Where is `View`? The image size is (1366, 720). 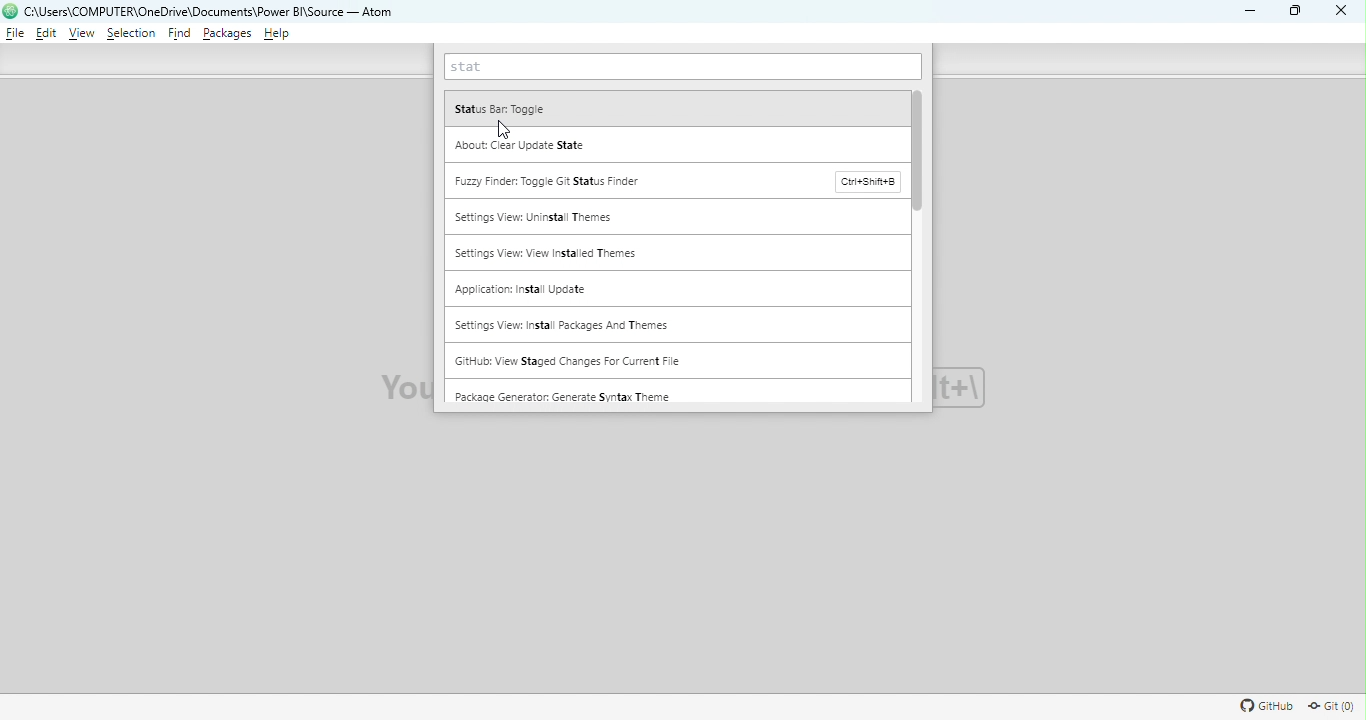
View is located at coordinates (84, 34).